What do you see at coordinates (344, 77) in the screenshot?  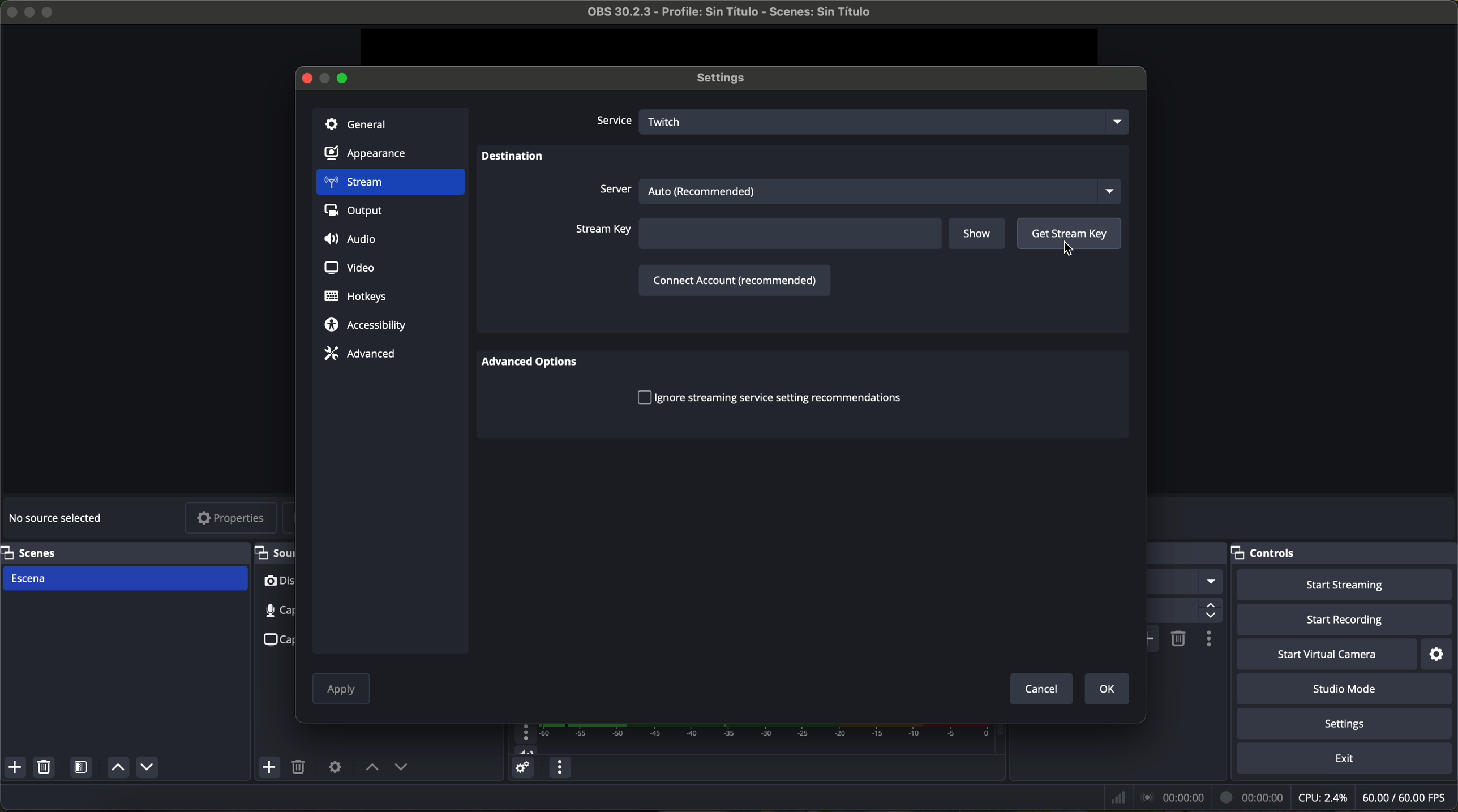 I see `maximize window` at bounding box center [344, 77].